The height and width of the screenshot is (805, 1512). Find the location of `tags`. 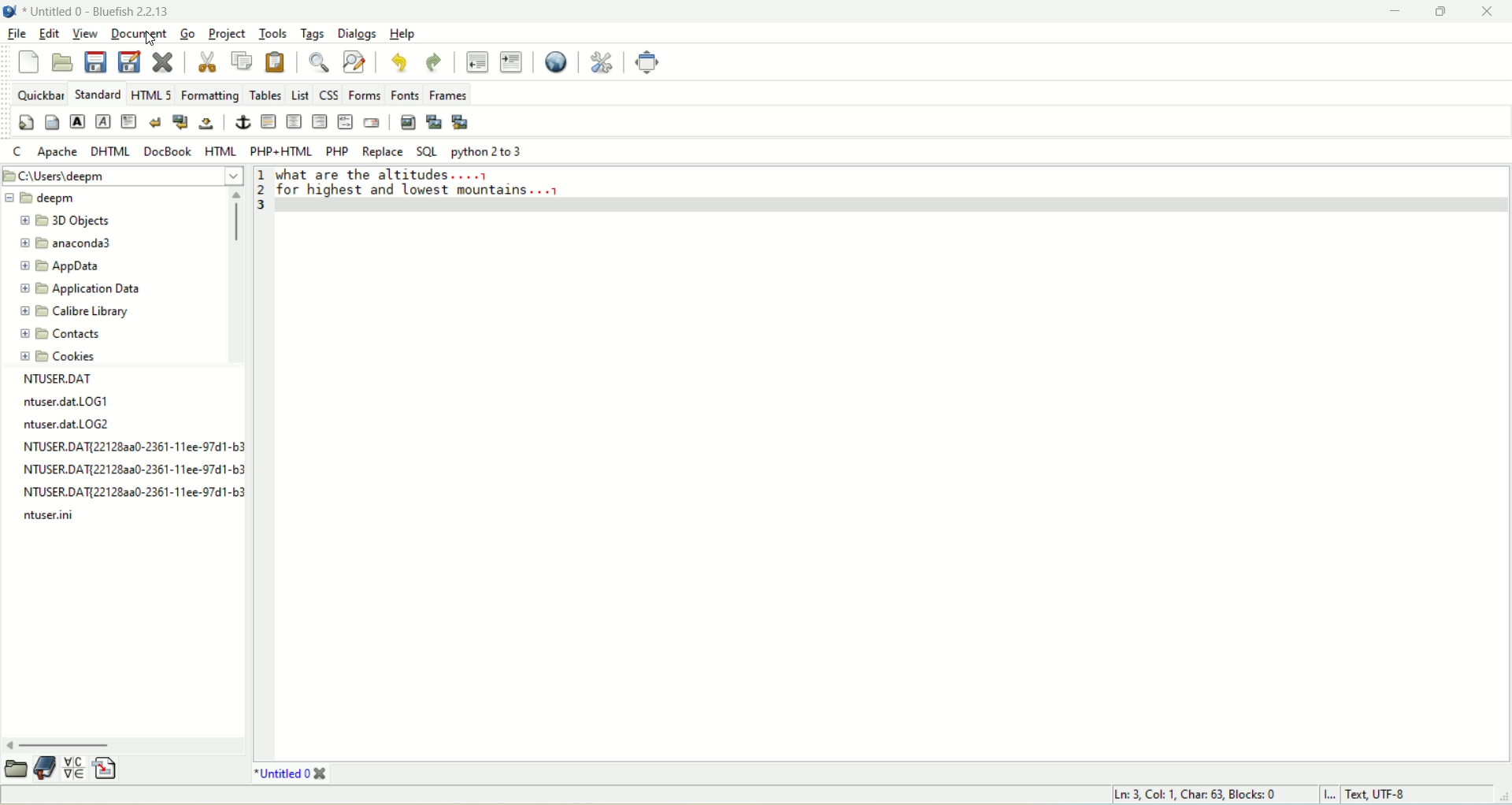

tags is located at coordinates (315, 34).